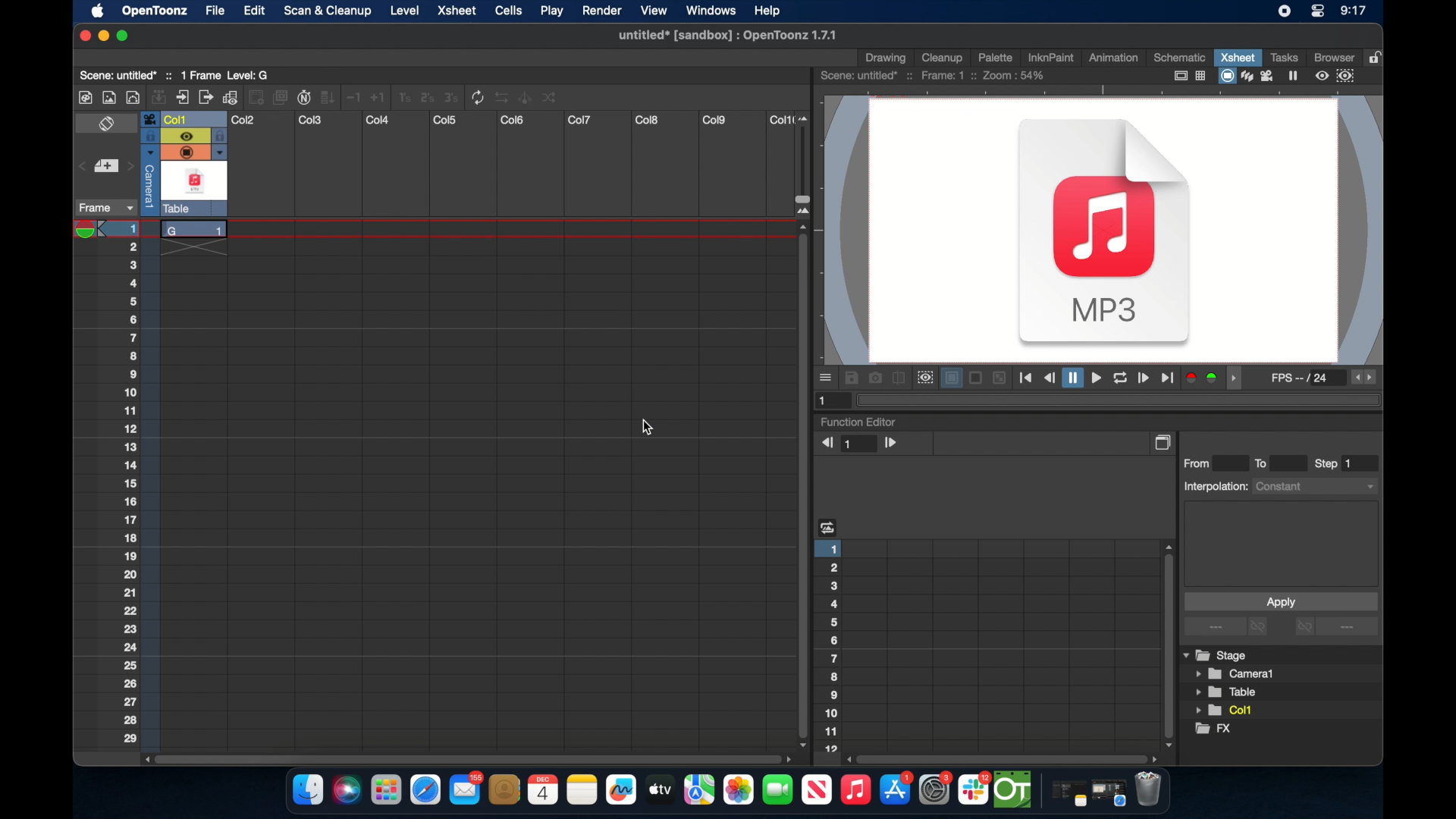 The height and width of the screenshot is (819, 1456). I want to click on imaps, so click(699, 790).